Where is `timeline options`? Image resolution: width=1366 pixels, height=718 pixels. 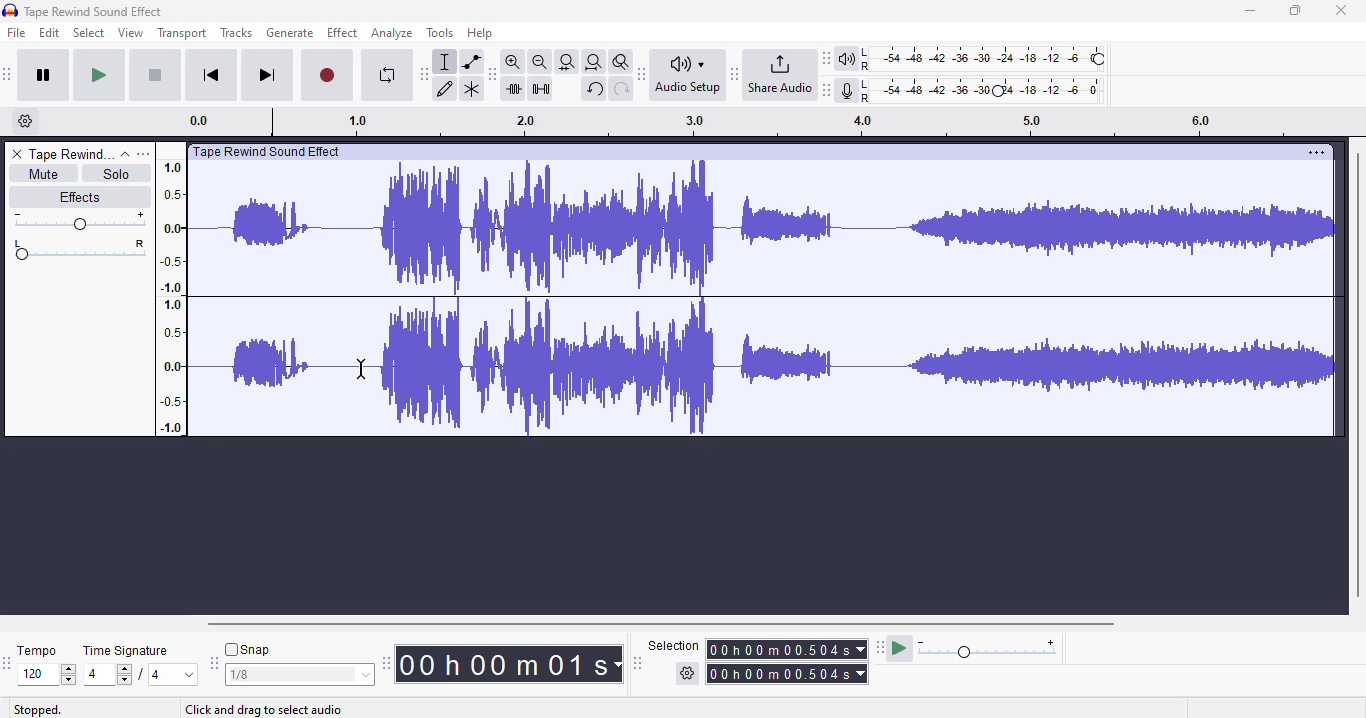 timeline options is located at coordinates (26, 120).